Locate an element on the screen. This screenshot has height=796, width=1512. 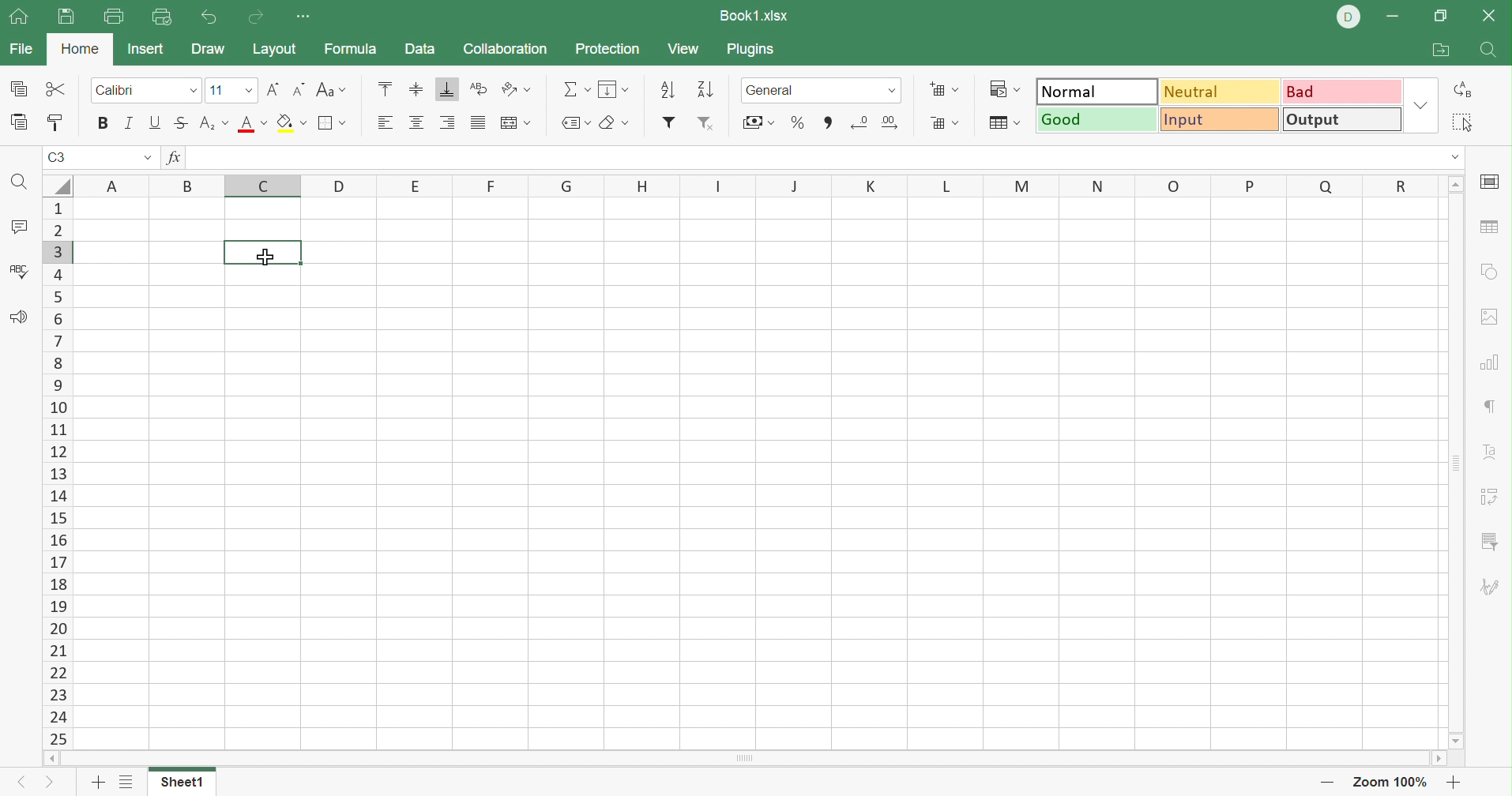
Column names is located at coordinates (760, 184).